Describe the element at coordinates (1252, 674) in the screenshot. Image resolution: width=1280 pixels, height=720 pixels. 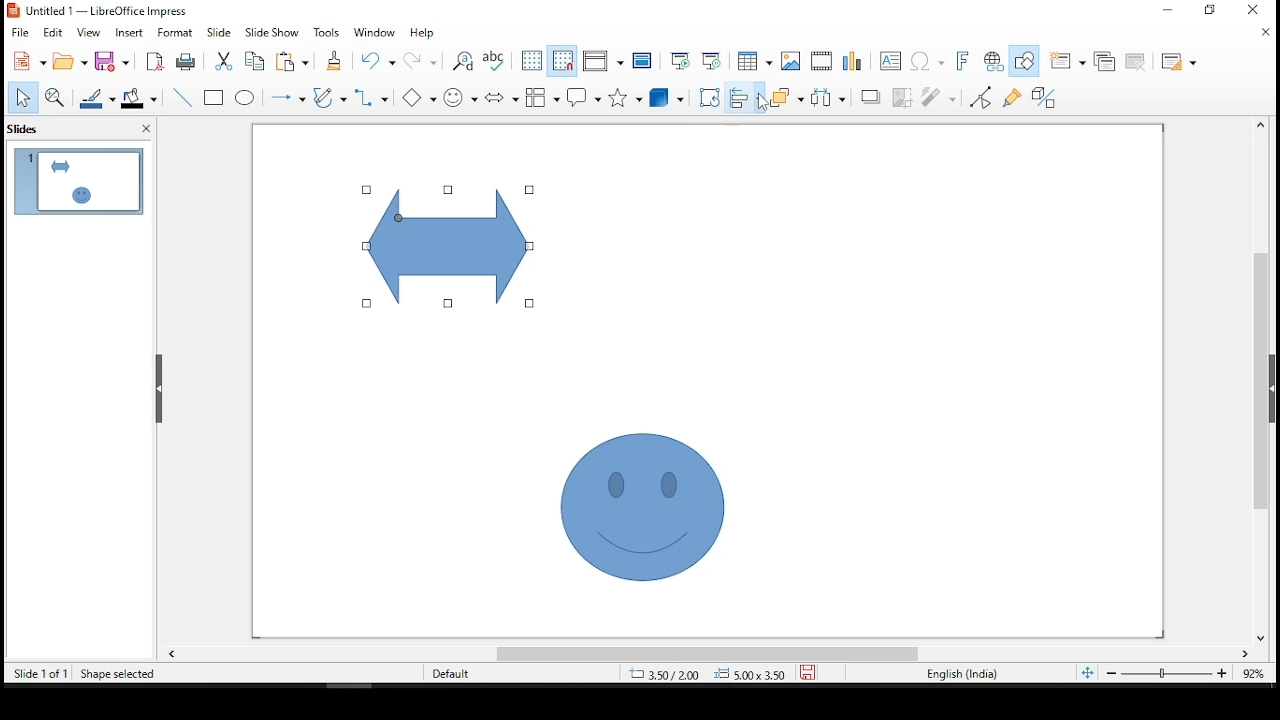
I see `zoom level` at that location.